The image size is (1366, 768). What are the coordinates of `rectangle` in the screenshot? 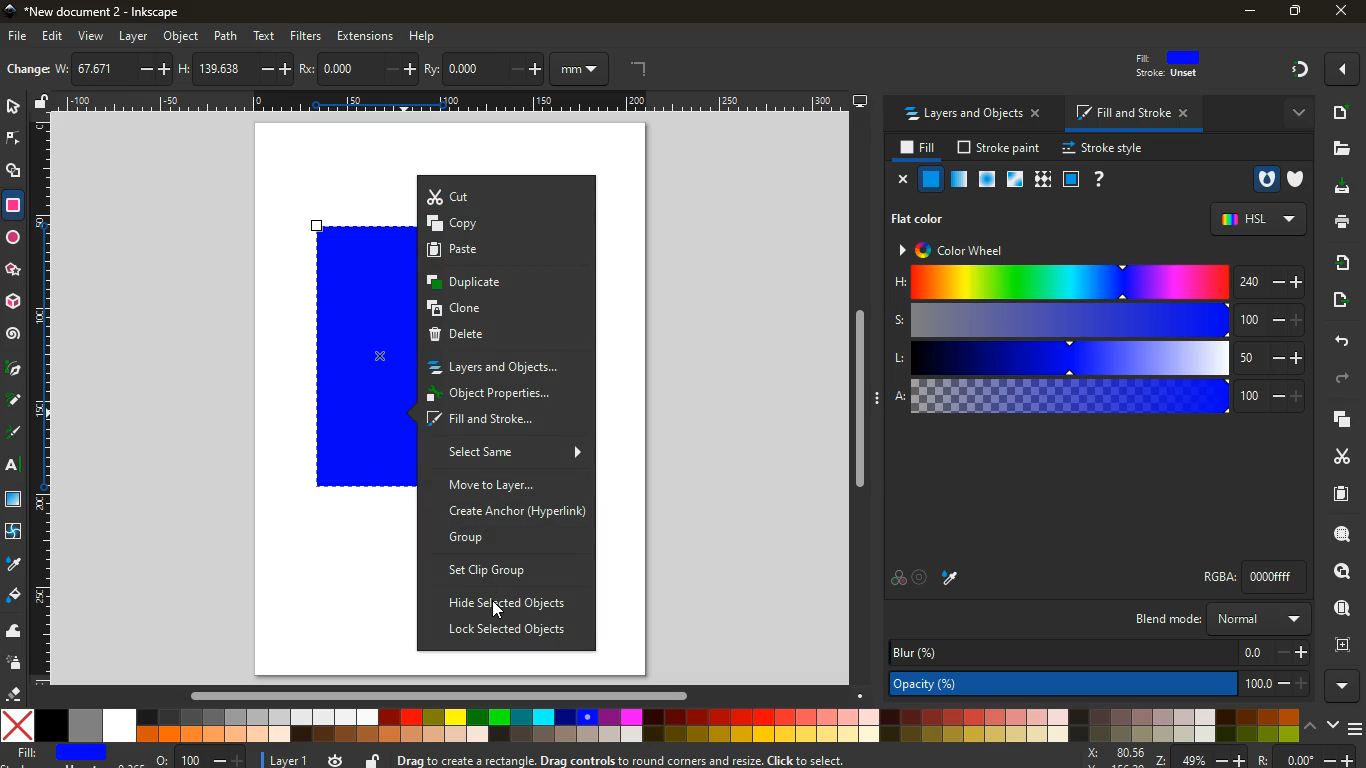 It's located at (359, 357).